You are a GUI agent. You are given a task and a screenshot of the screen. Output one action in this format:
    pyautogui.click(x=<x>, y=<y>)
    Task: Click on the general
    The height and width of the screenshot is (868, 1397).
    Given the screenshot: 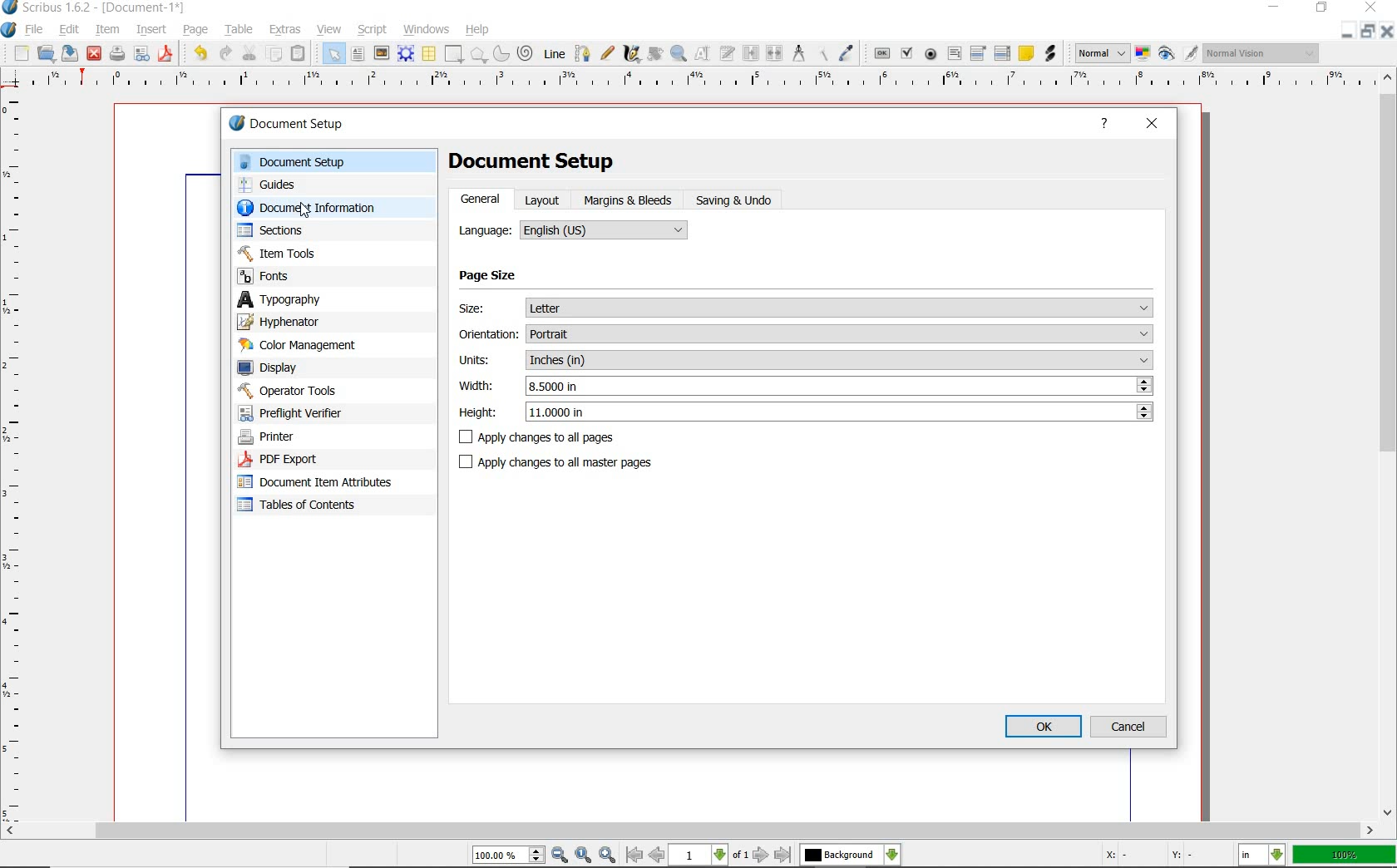 What is the action you would take?
    pyautogui.click(x=482, y=201)
    